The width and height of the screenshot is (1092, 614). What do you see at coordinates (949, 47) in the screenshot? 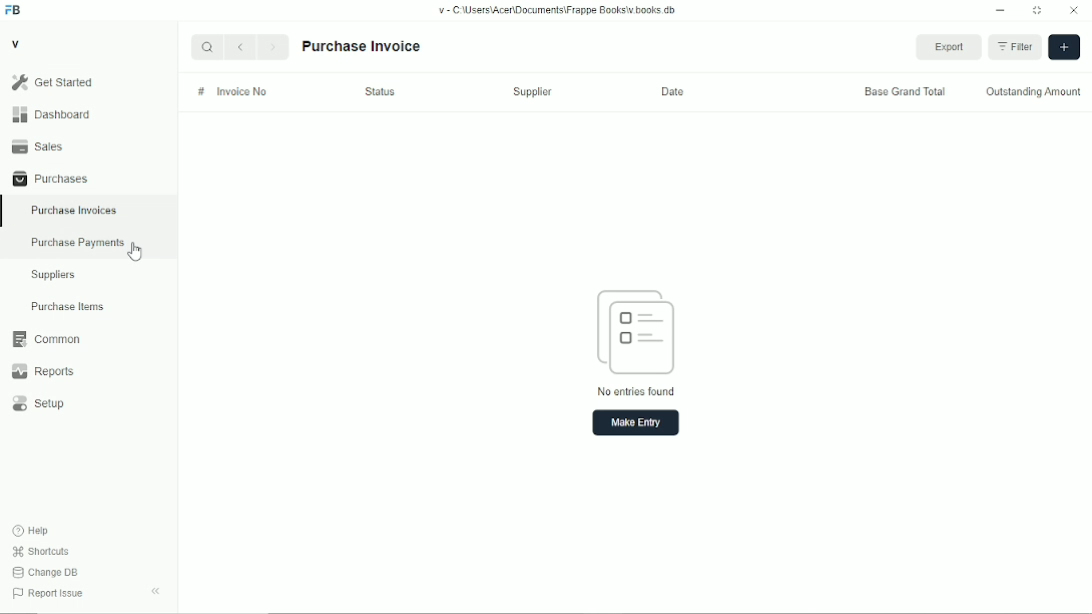
I see `Export` at bounding box center [949, 47].